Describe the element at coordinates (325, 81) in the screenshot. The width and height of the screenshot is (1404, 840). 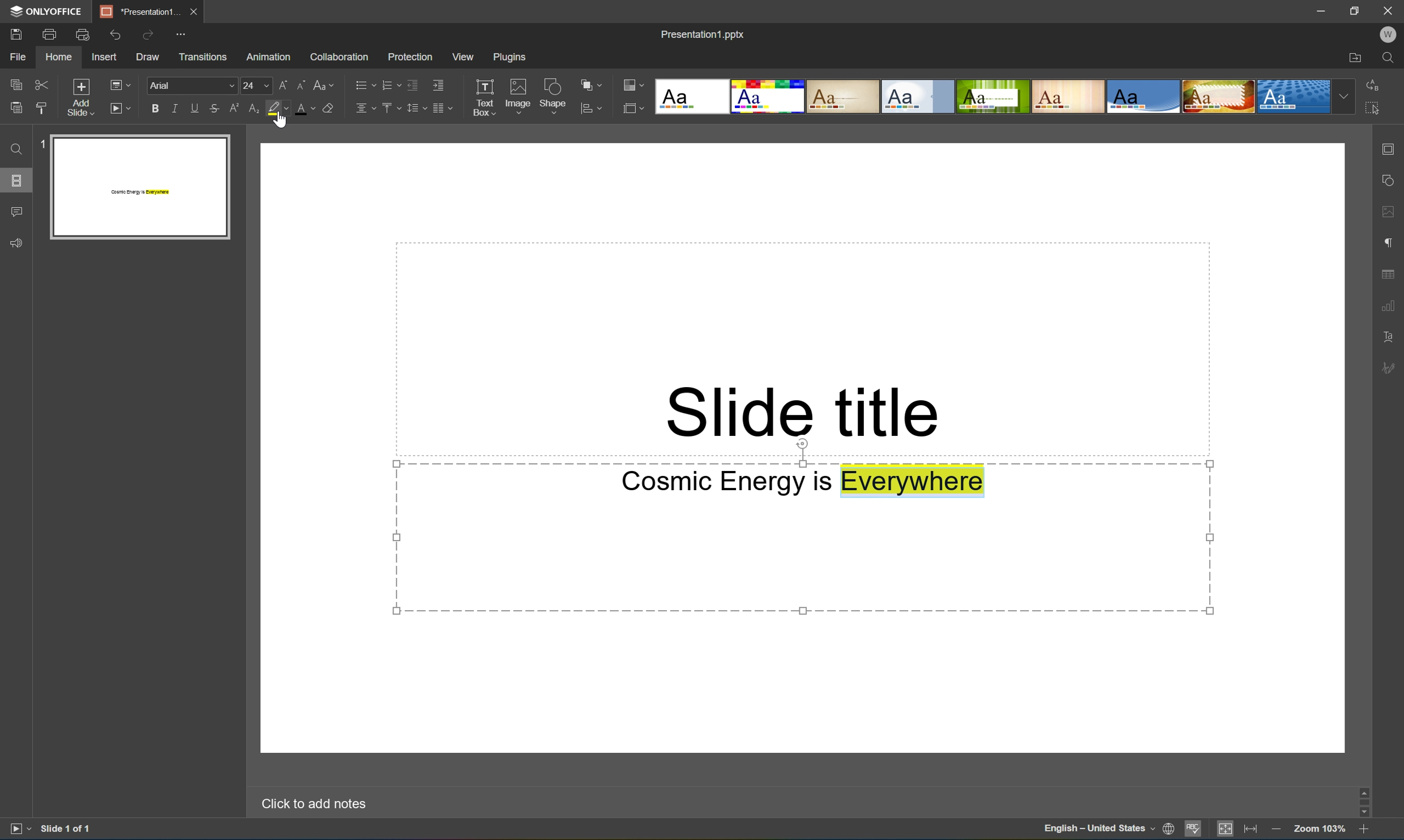
I see `Change case` at that location.